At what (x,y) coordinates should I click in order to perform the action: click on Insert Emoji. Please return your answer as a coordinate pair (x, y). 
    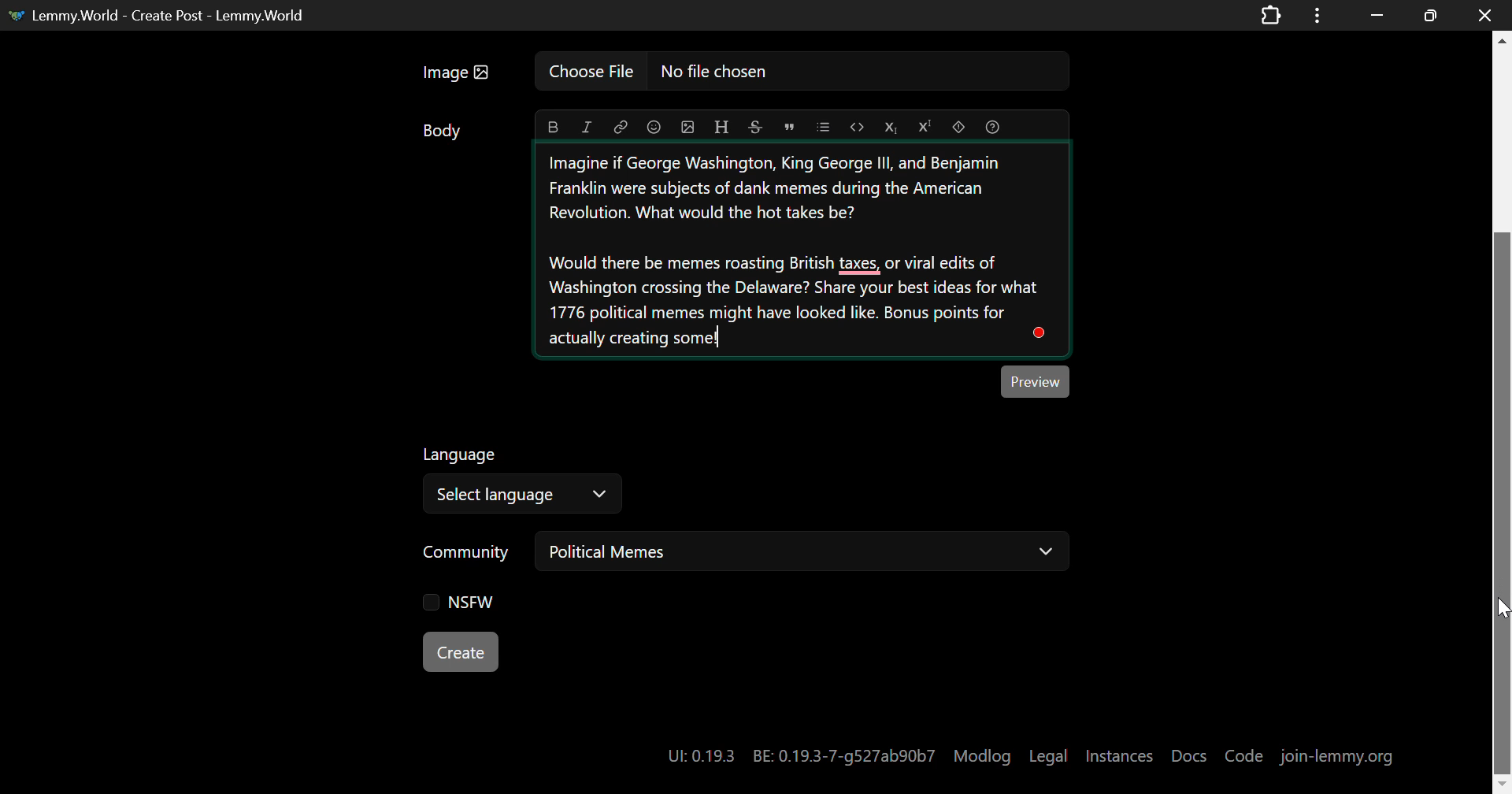
    Looking at the image, I should click on (655, 128).